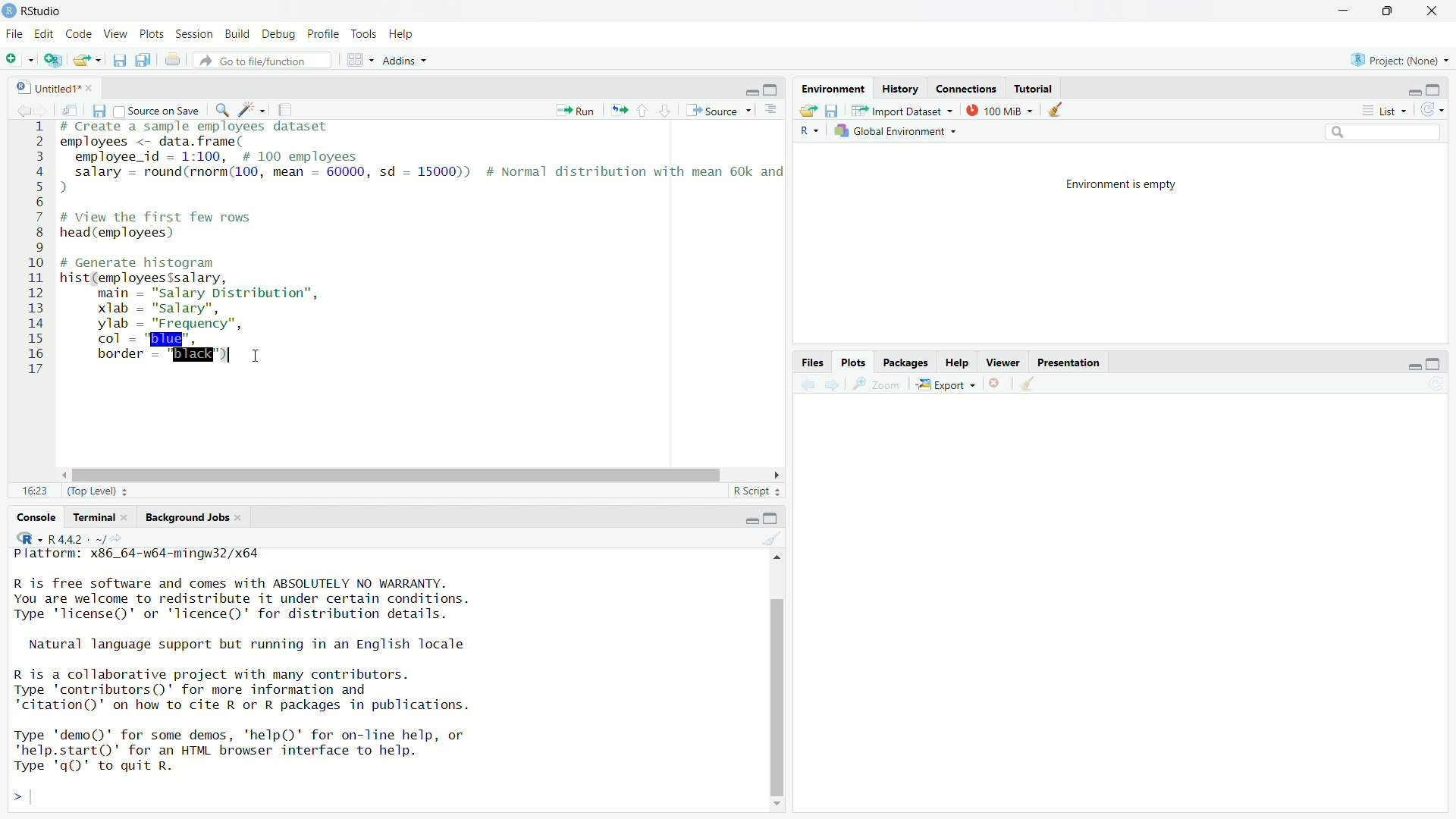 The image size is (1456, 819). I want to click on # Create a sample employees dataset
employees <- data. frame(

employee id — 1:100, # 100 employees

salary - round(rnorm(100, mean - 60000, sd = 15000)) # Normal distribution with mean 60k and
), so click(422, 160).